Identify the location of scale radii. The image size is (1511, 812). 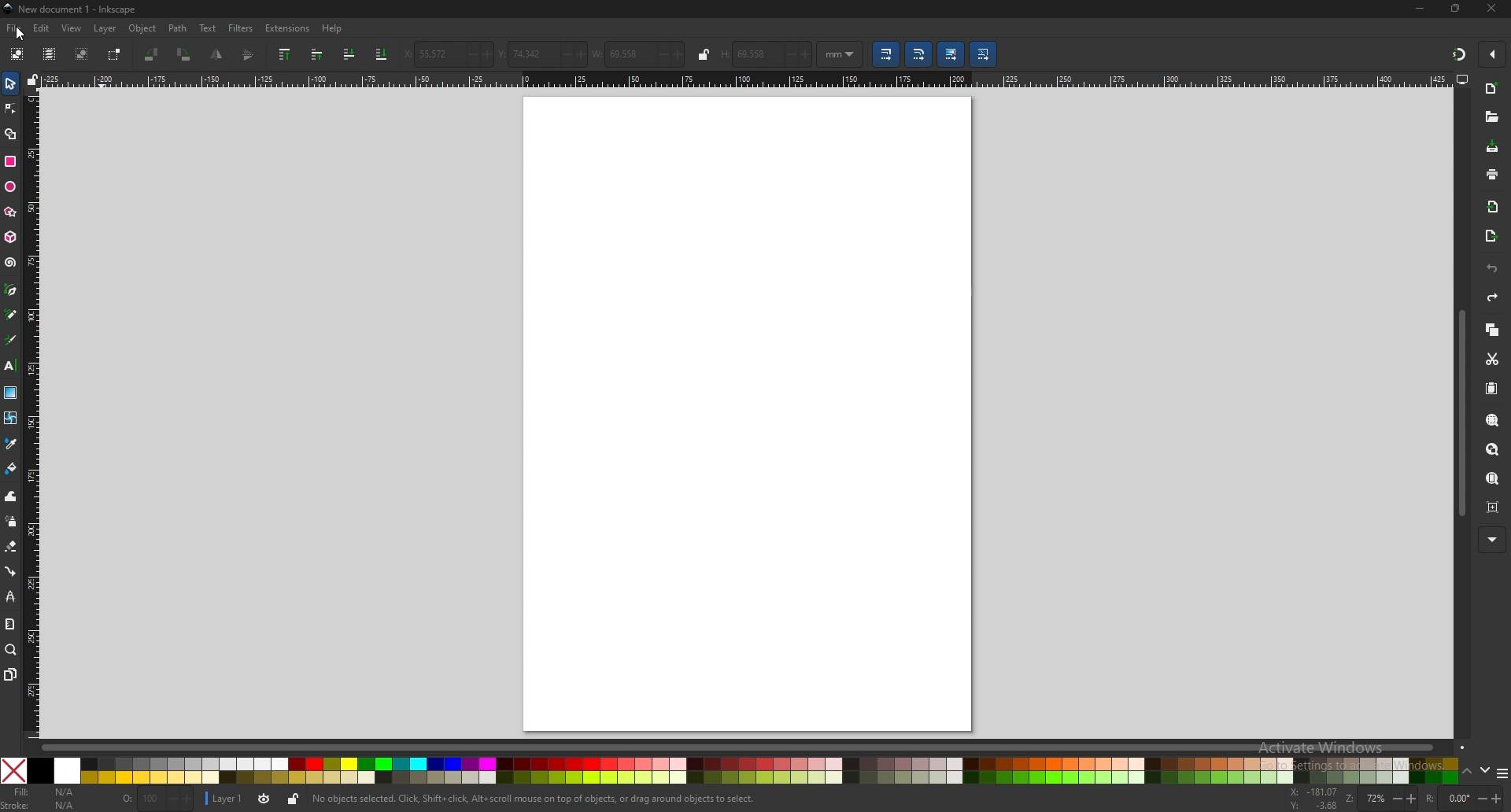
(918, 54).